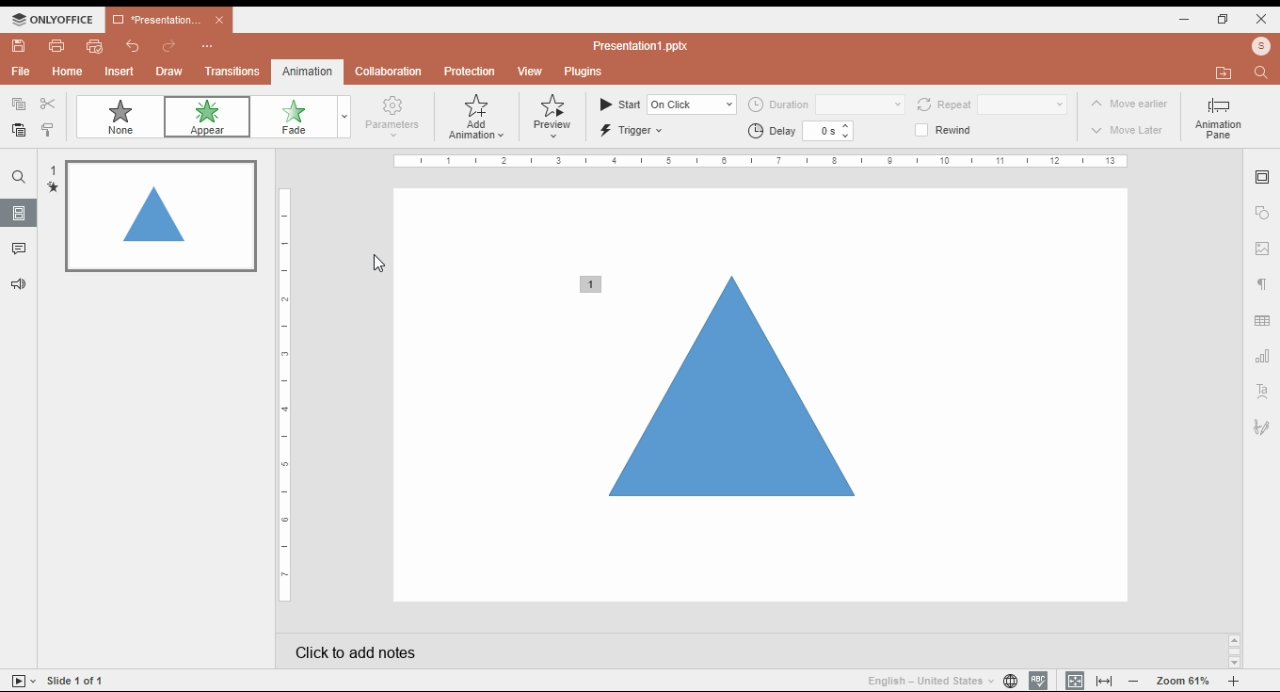  I want to click on repeat, so click(1020, 103).